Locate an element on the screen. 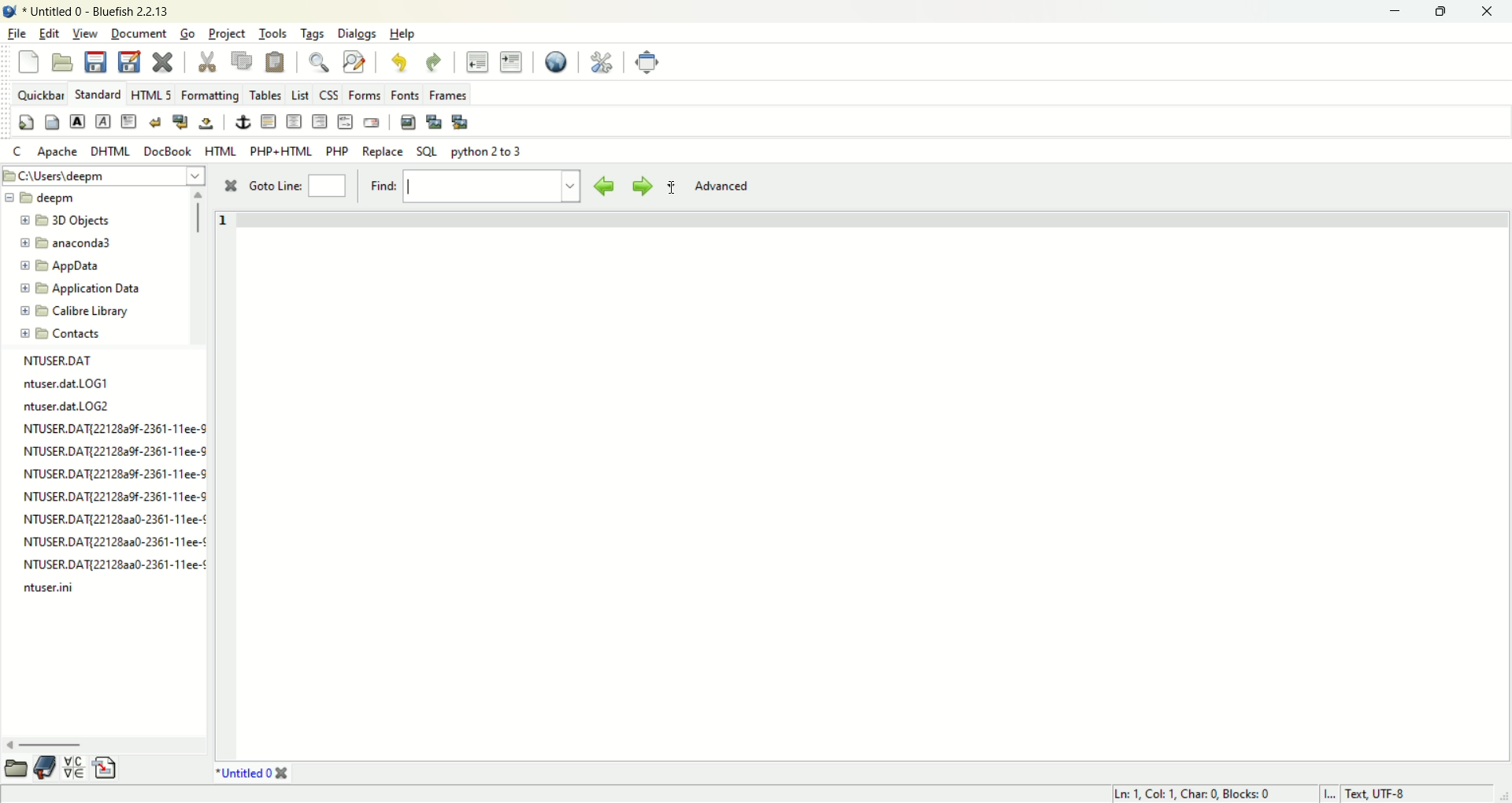 The image size is (1512, 803). python 2 to 3 is located at coordinates (487, 151).